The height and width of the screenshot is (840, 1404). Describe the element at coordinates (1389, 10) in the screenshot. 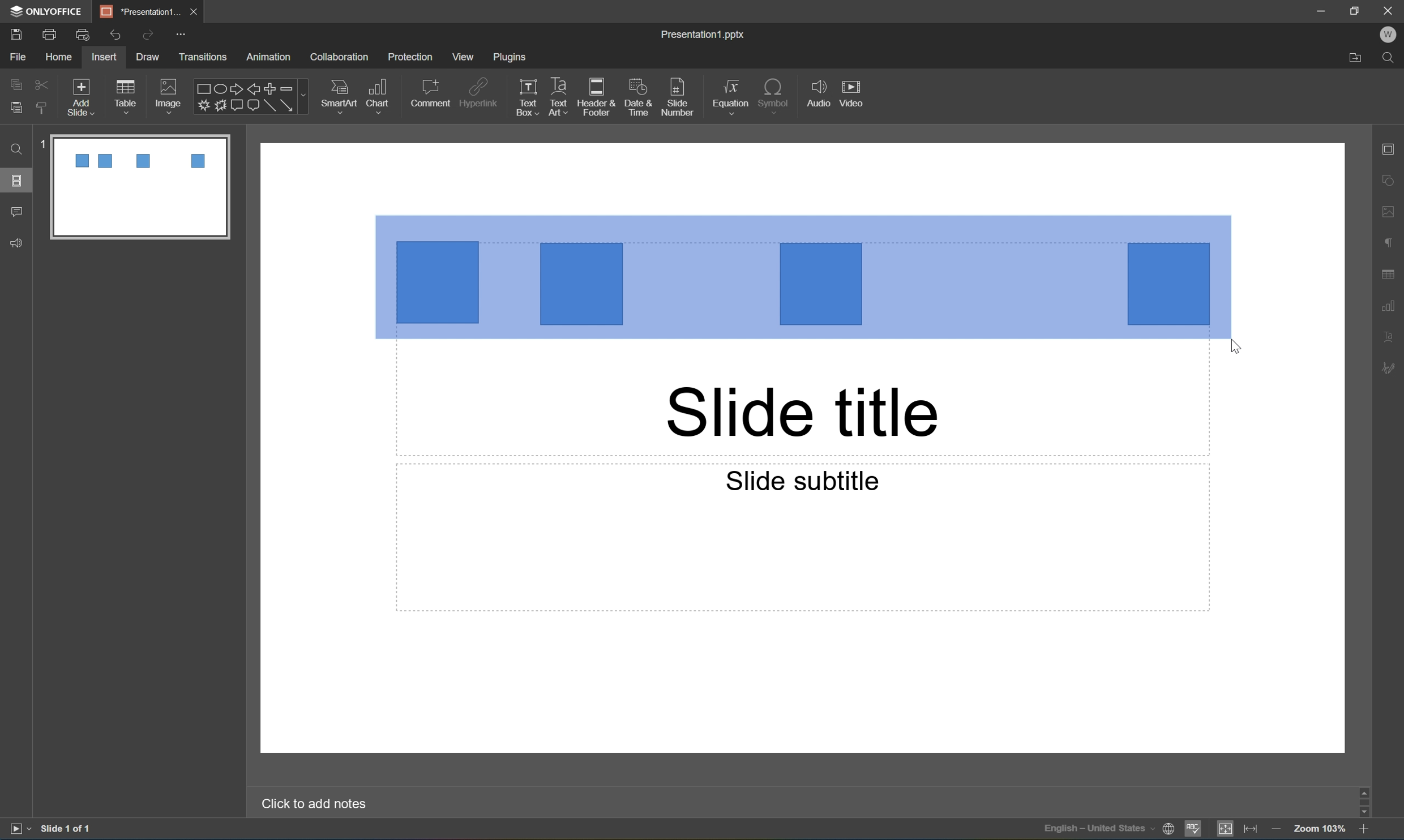

I see `close` at that location.